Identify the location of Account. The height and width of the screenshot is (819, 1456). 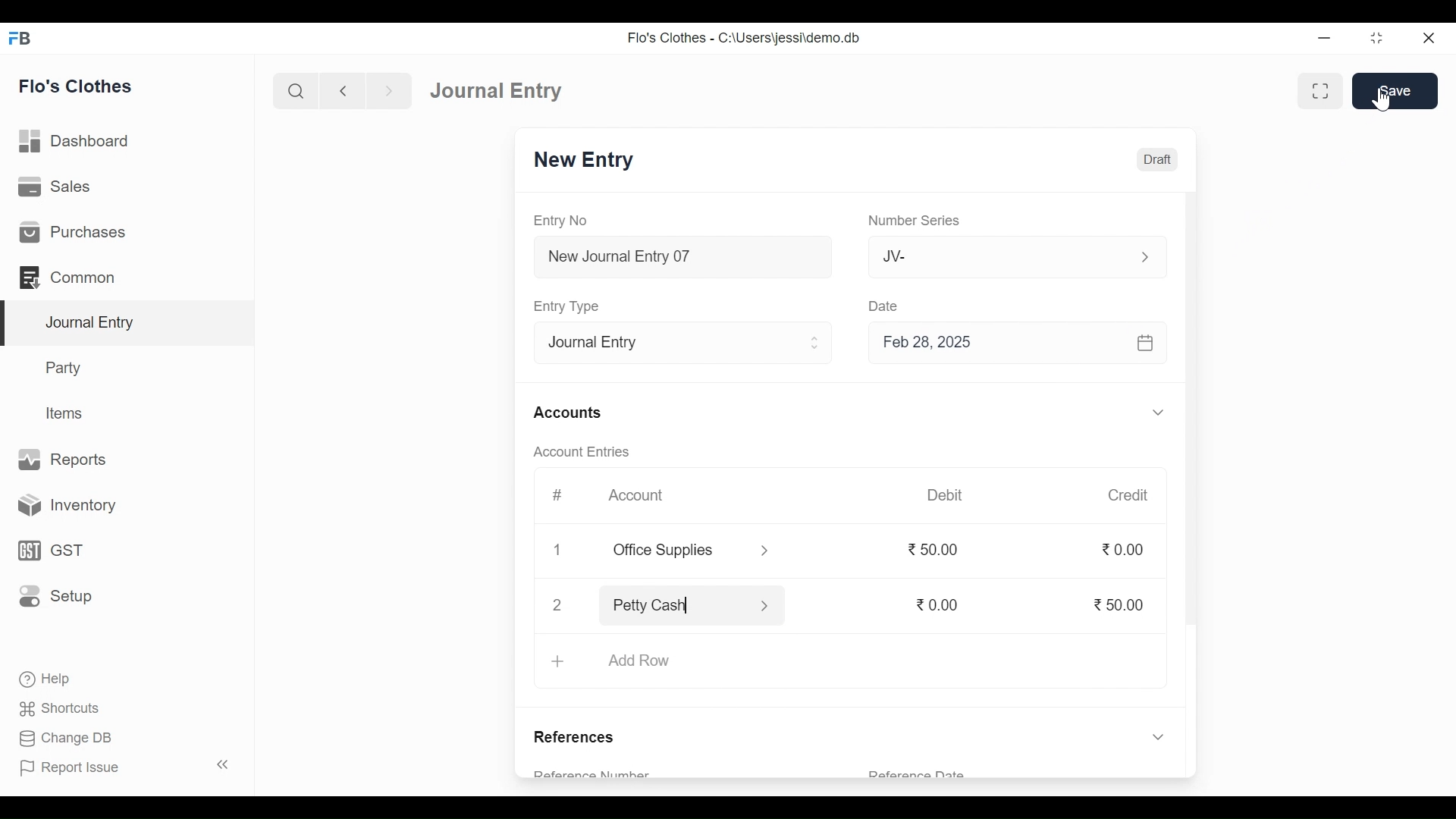
(635, 493).